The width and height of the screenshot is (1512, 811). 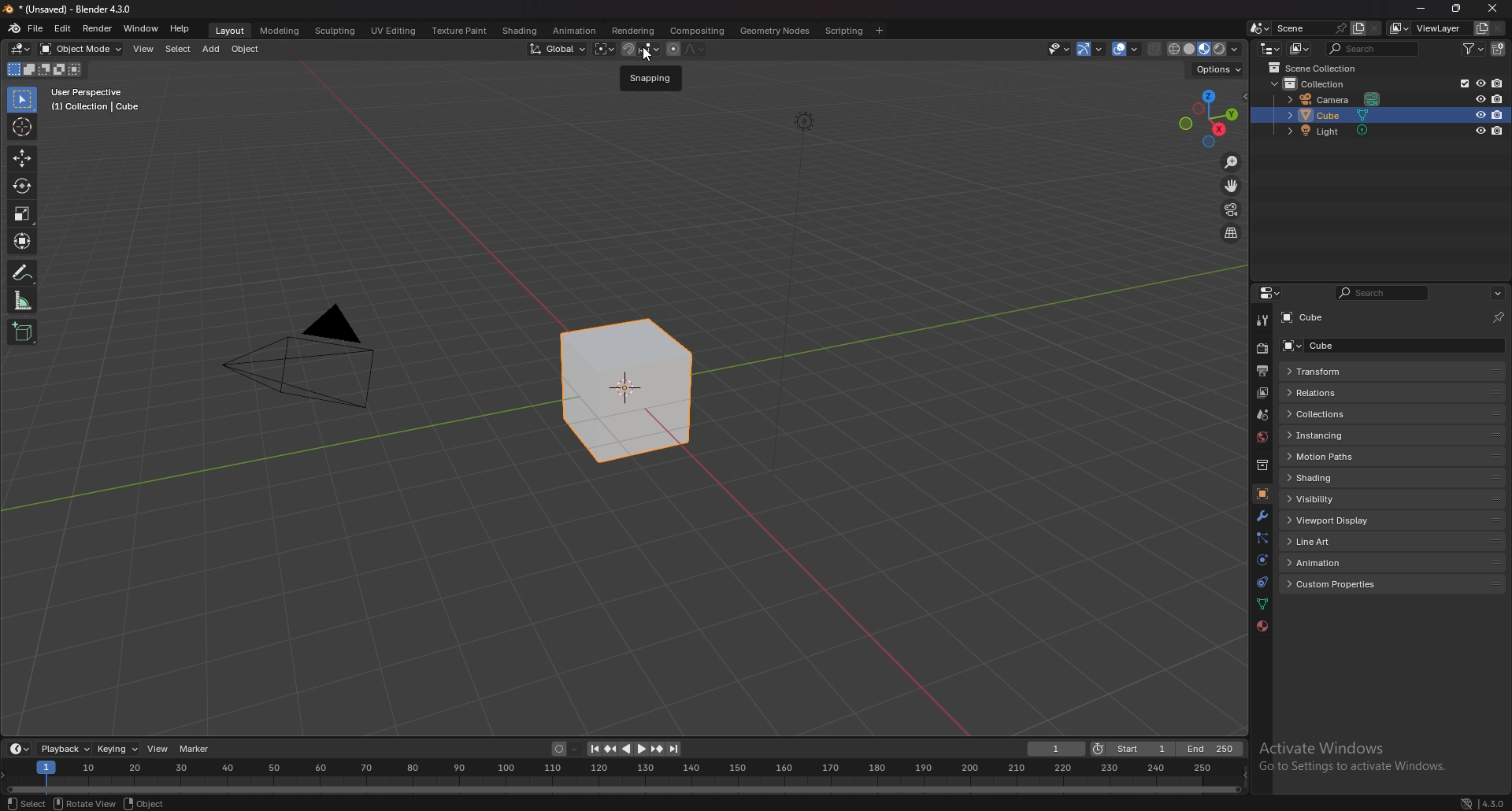 I want to click on select, so click(x=177, y=49).